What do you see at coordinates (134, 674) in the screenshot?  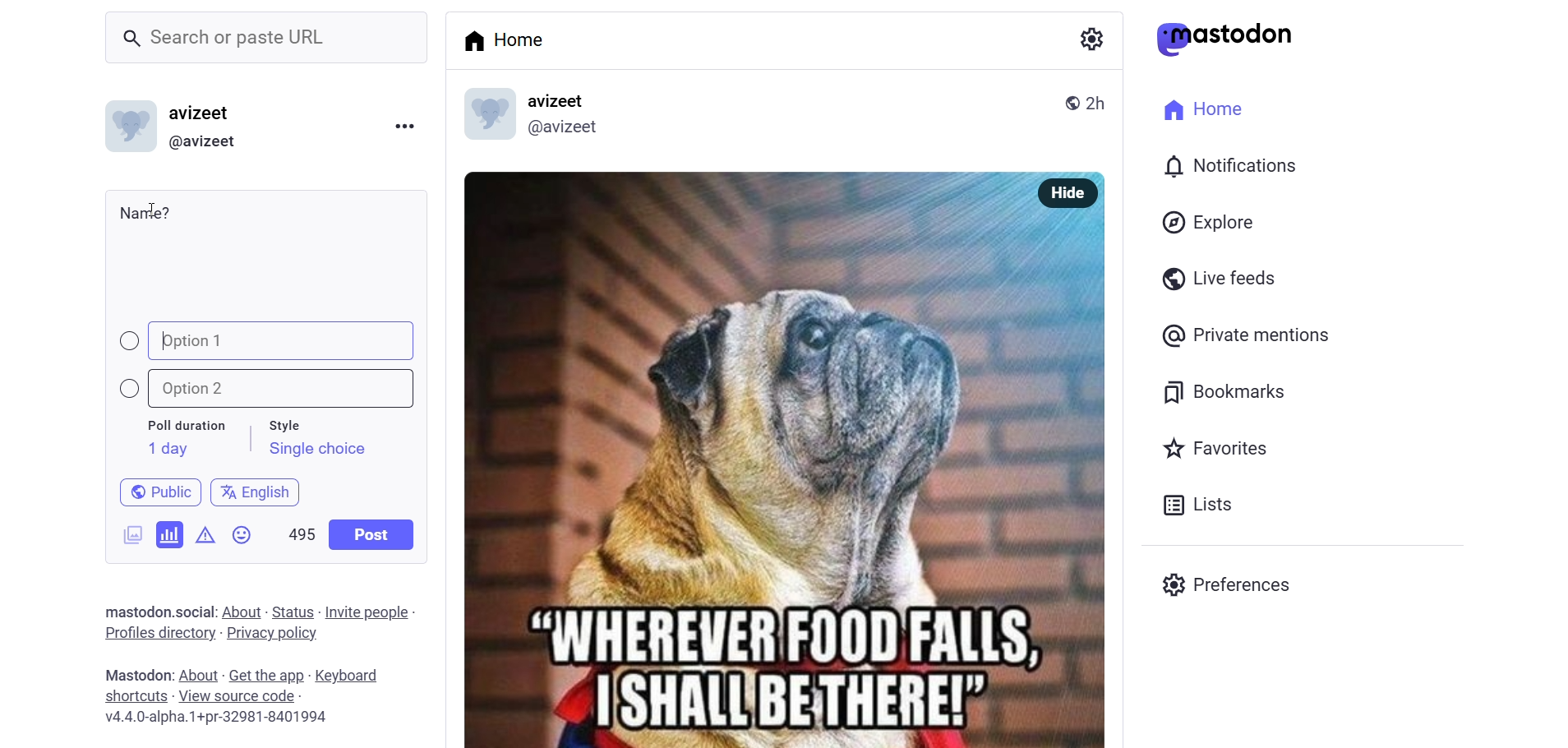 I see `mastodon` at bounding box center [134, 674].